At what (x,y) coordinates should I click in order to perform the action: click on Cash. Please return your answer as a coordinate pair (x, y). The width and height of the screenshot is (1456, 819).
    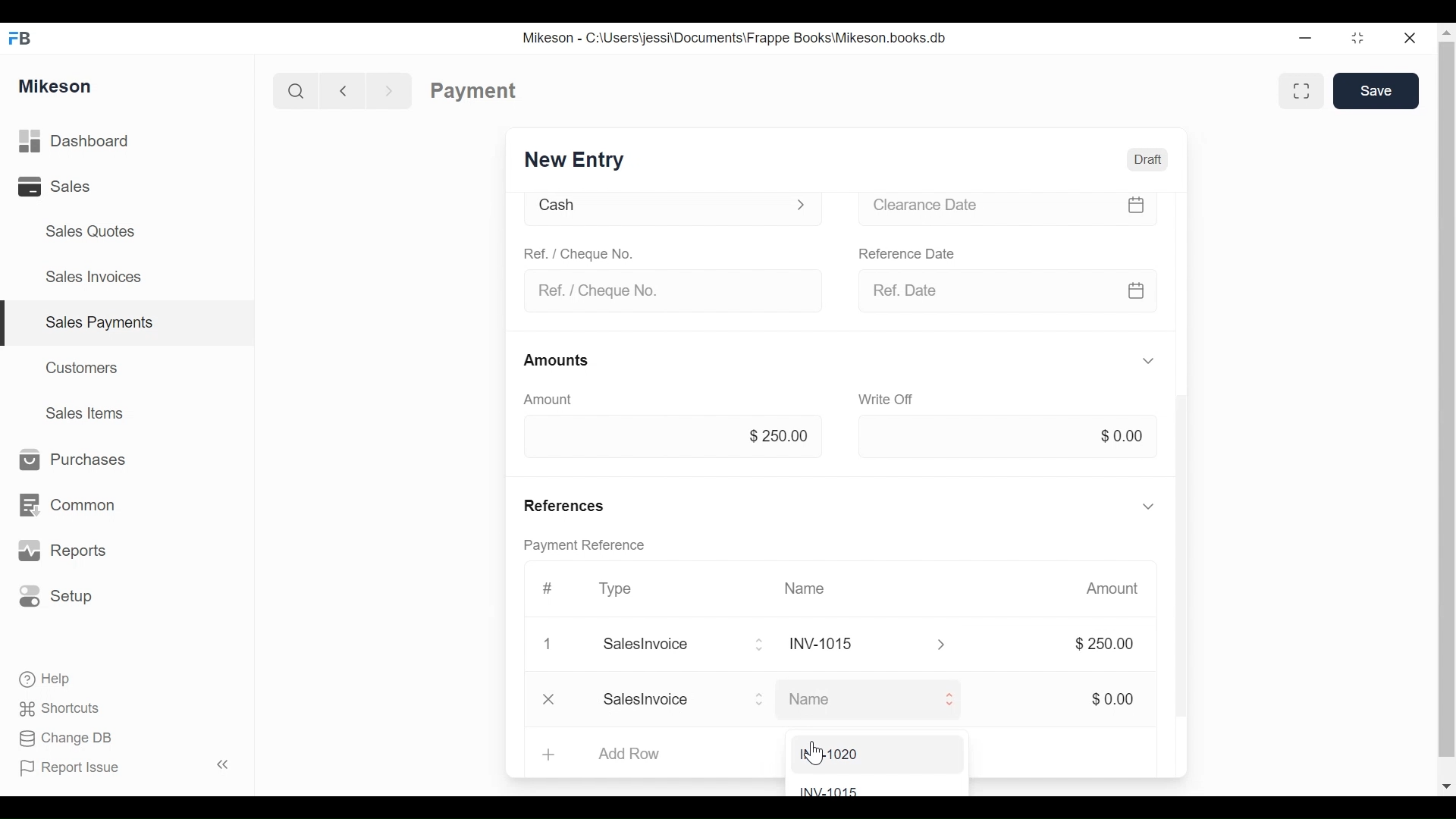
    Looking at the image, I should click on (676, 209).